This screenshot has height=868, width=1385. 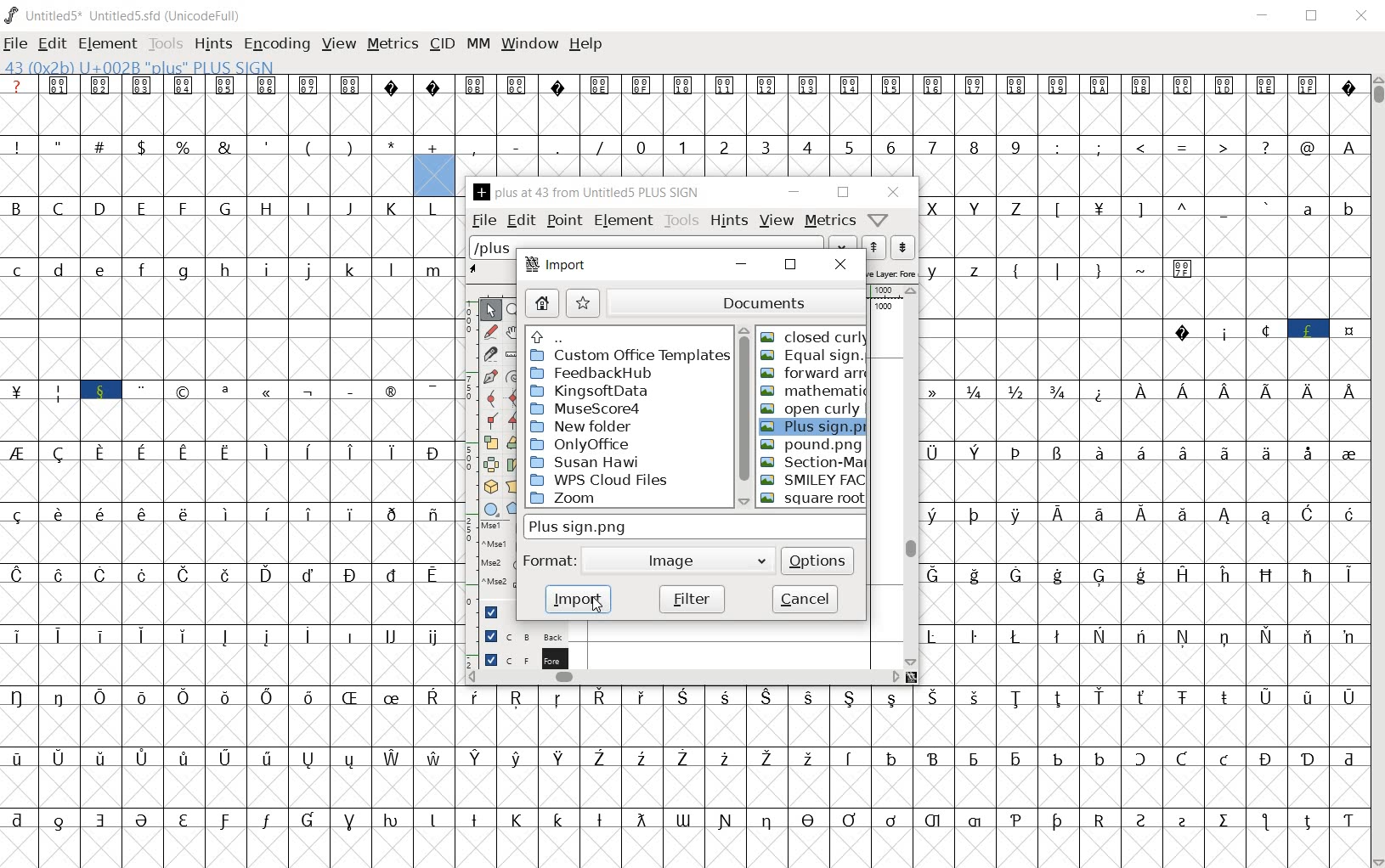 I want to click on , so click(x=997, y=533).